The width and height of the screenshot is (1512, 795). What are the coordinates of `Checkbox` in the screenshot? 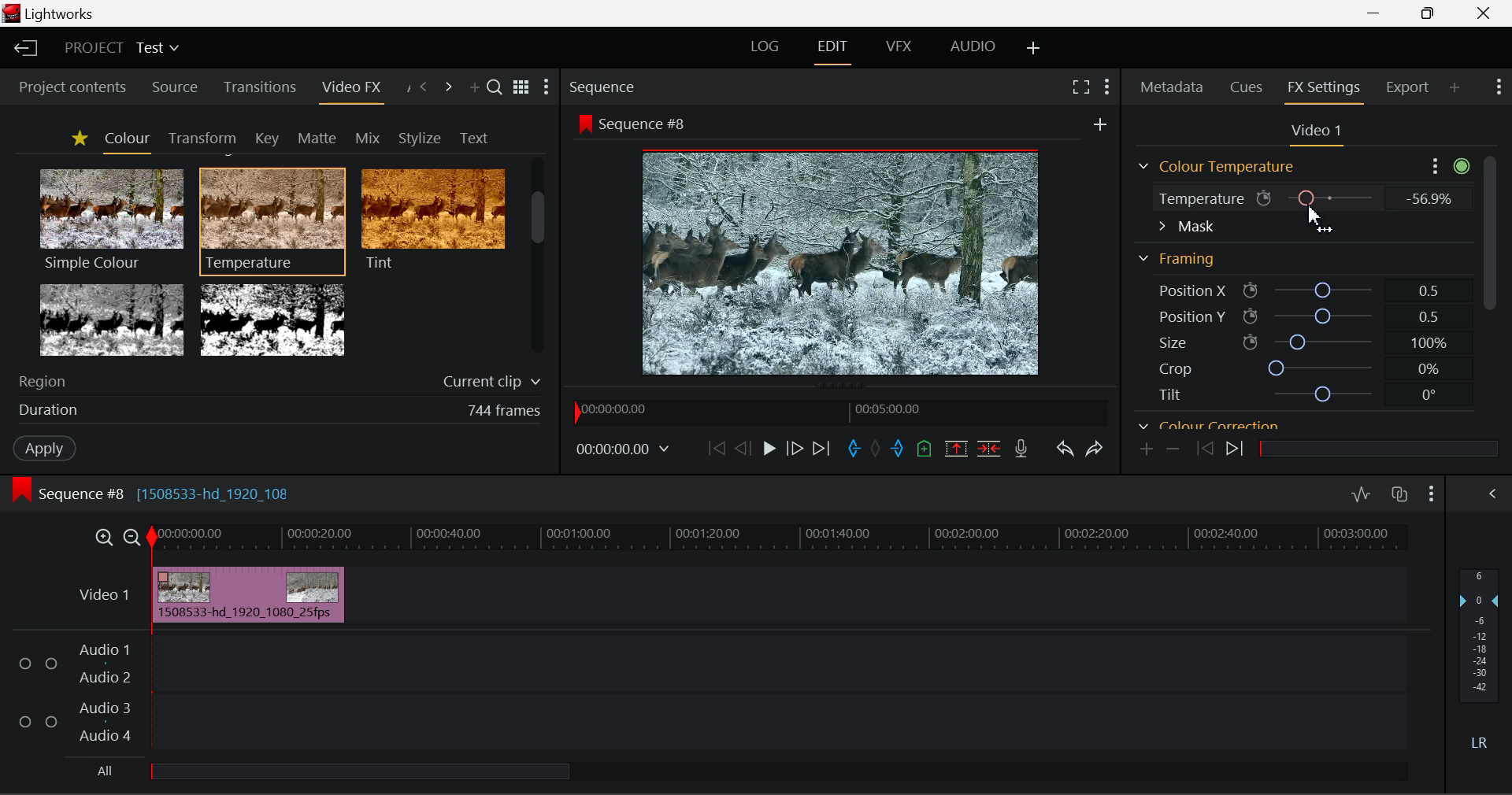 It's located at (50, 720).